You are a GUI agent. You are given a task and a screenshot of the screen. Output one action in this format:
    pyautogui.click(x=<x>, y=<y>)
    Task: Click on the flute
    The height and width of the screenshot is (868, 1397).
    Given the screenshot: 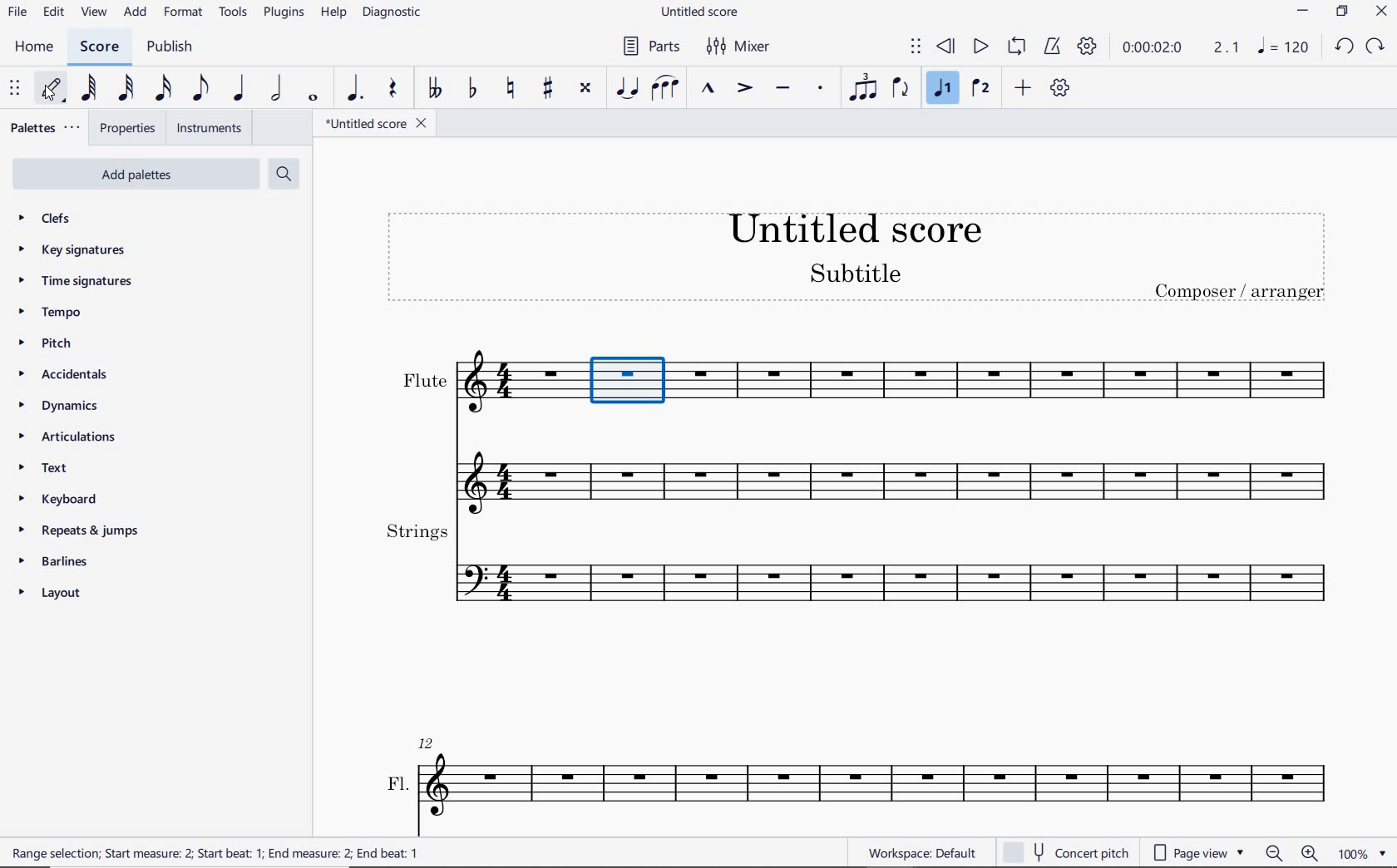 What is the action you would take?
    pyautogui.click(x=856, y=469)
    